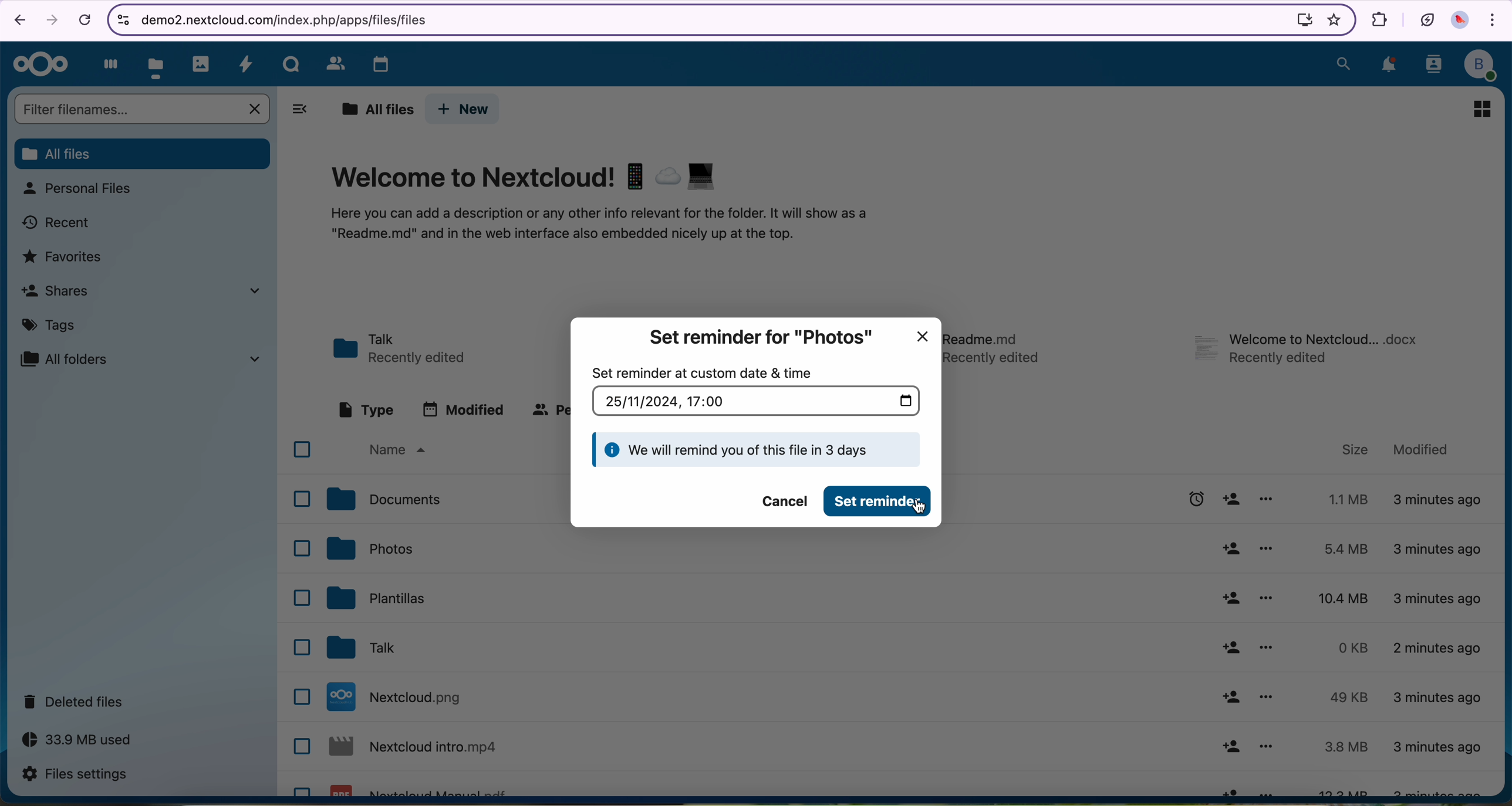 The image size is (1512, 806). I want to click on hide tabs, so click(301, 110).